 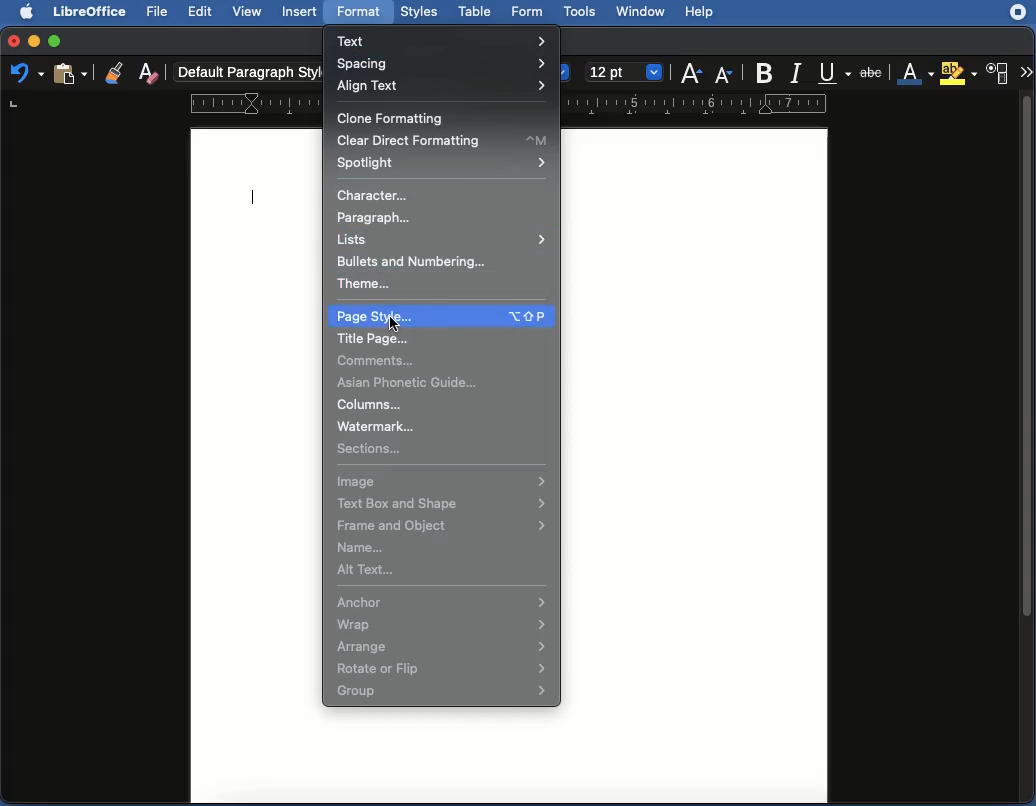 What do you see at coordinates (370, 570) in the screenshot?
I see `Alt text` at bounding box center [370, 570].